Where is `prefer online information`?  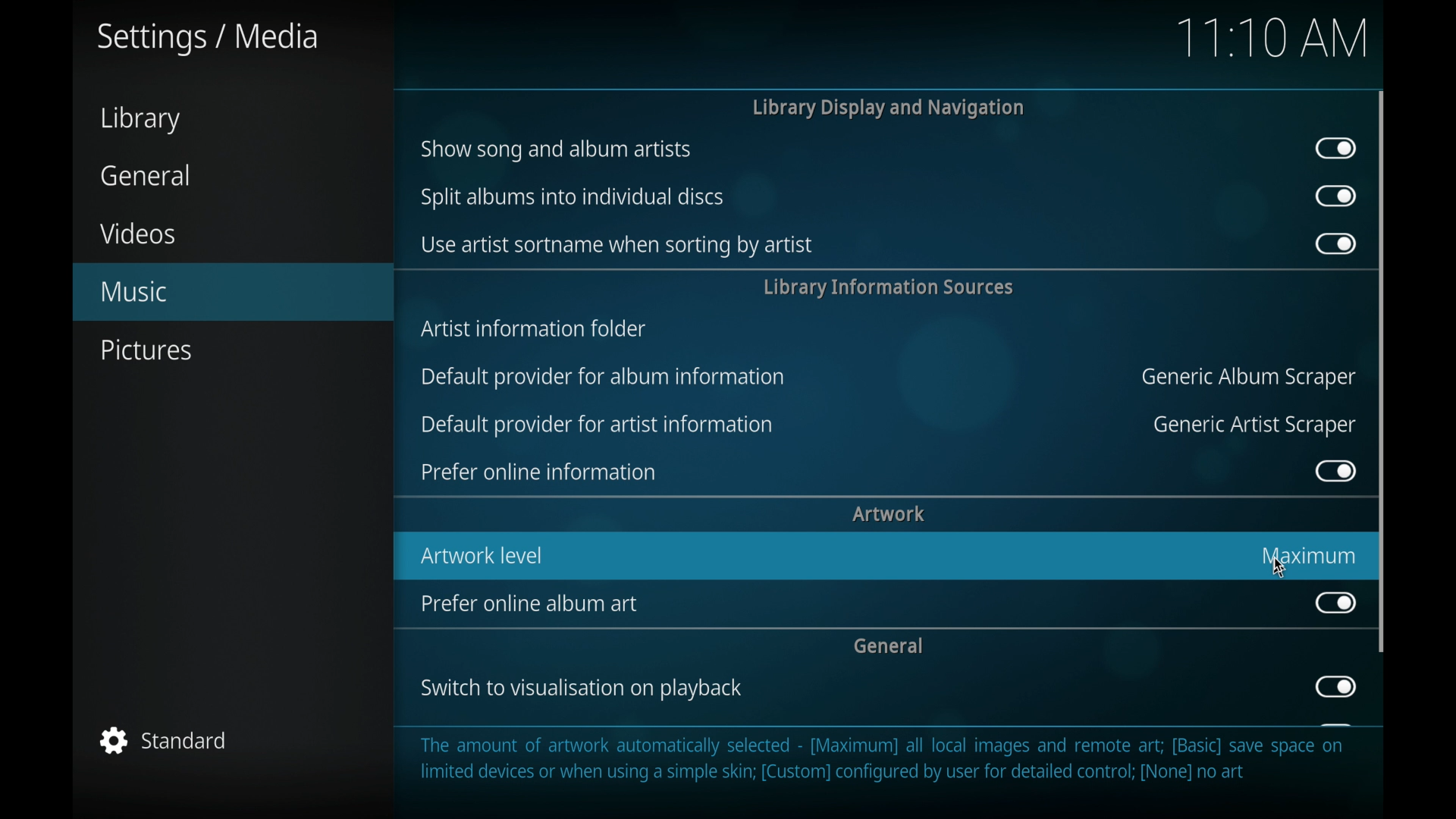
prefer online information is located at coordinates (538, 472).